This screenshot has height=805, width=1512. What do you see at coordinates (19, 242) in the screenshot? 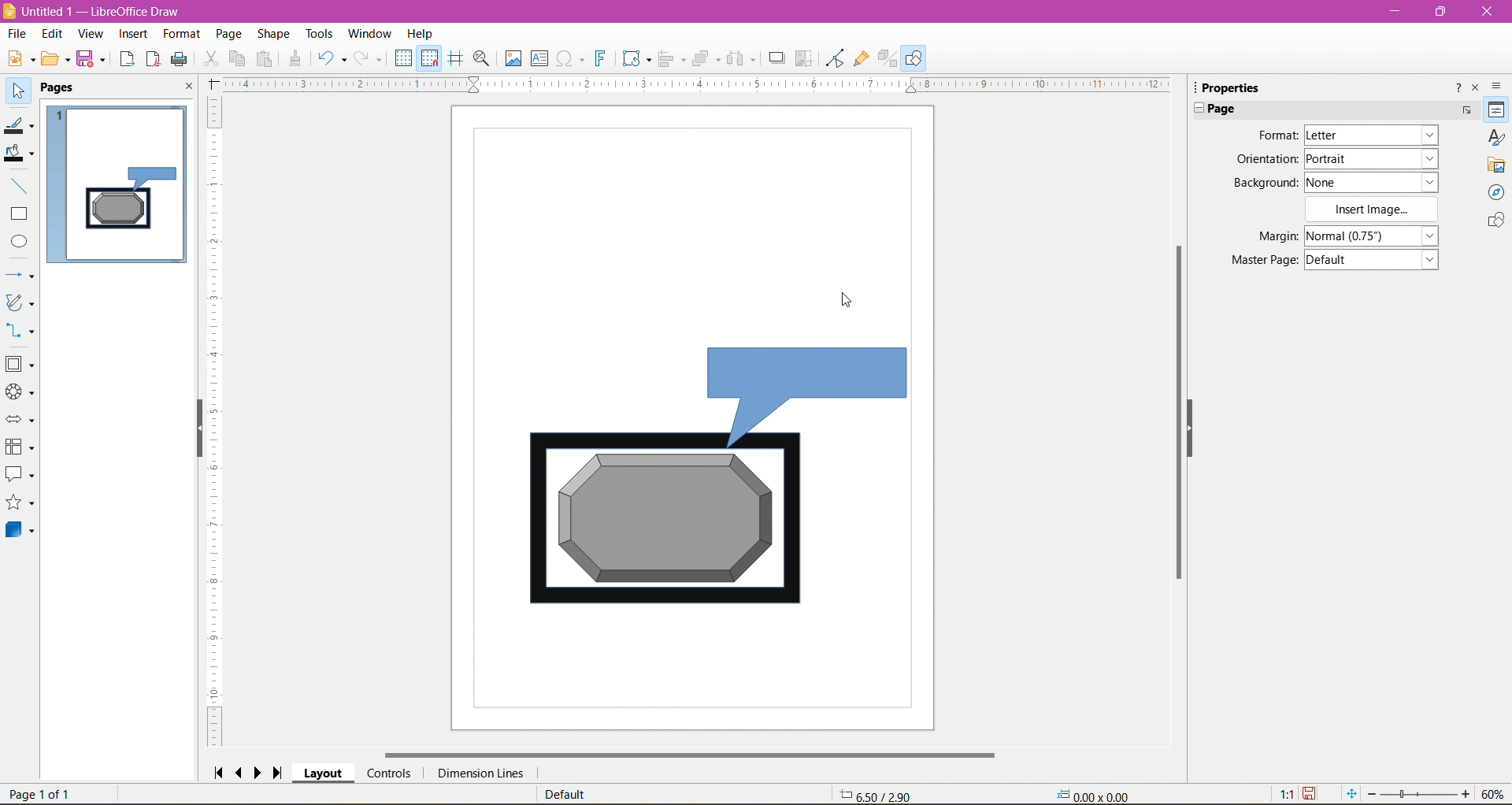
I see `Elipse` at bounding box center [19, 242].